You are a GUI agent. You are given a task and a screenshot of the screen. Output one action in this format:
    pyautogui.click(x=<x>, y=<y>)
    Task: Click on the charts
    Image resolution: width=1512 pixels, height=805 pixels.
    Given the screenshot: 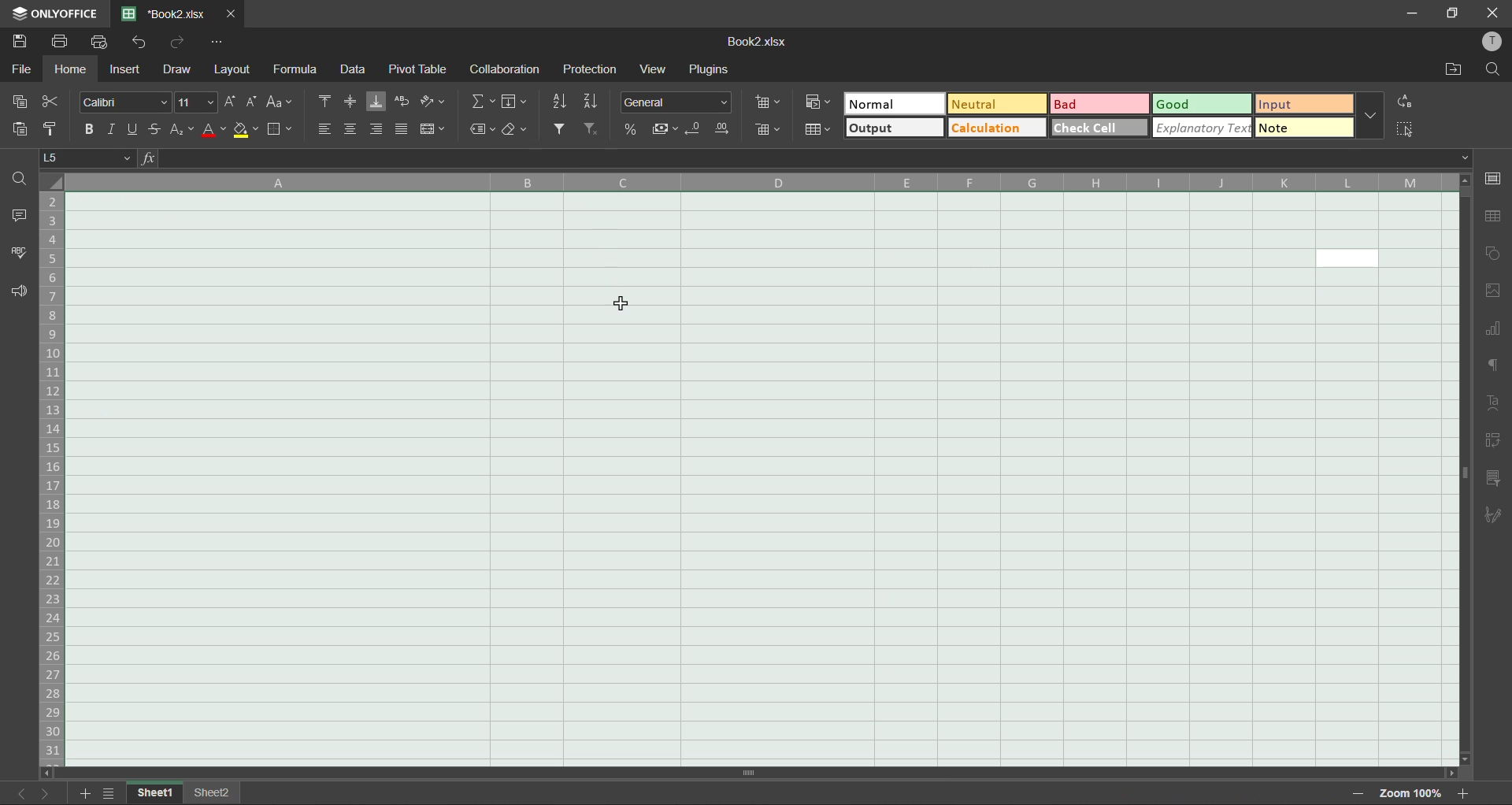 What is the action you would take?
    pyautogui.click(x=1492, y=332)
    